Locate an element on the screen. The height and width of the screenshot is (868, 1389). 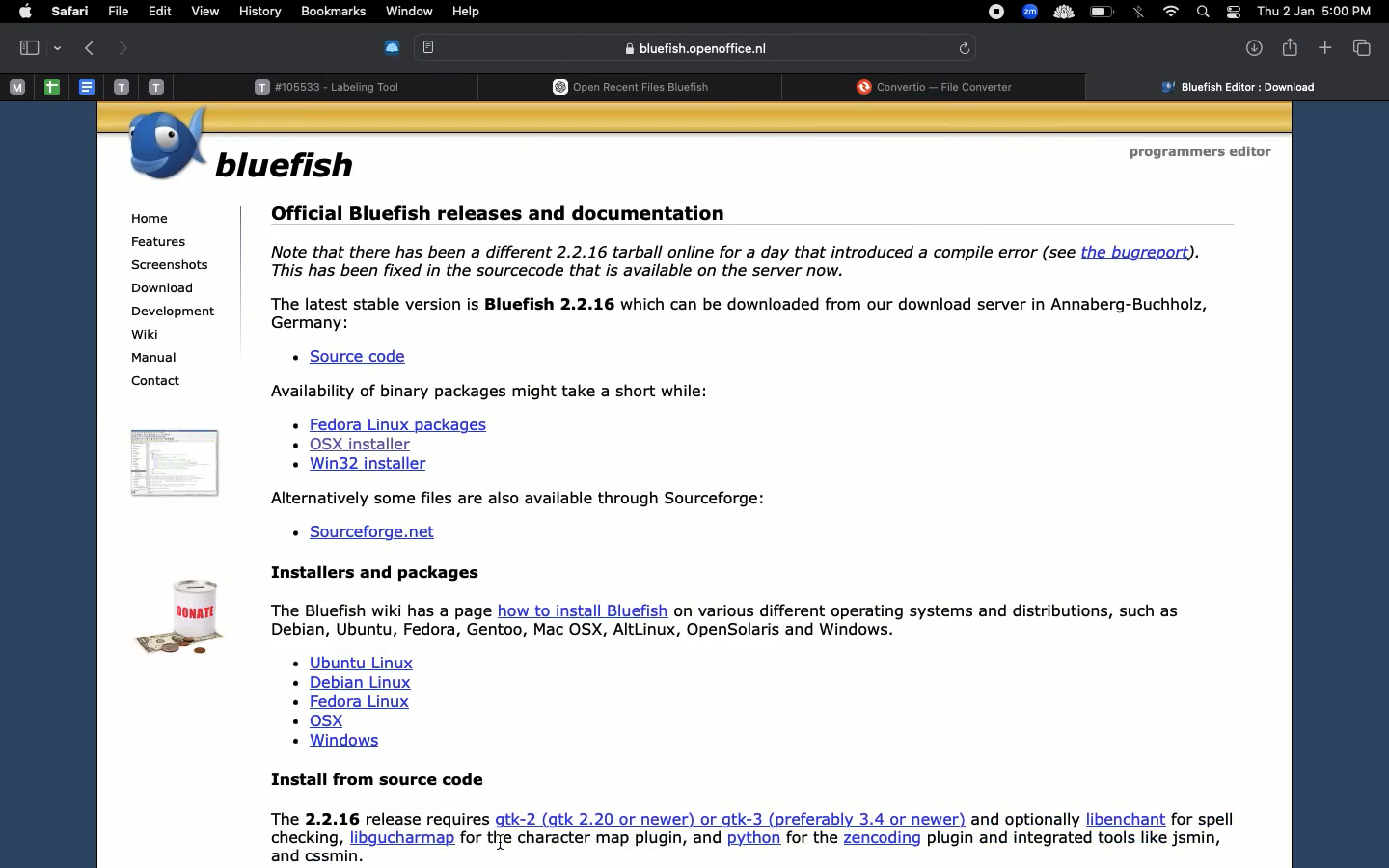
home is located at coordinates (150, 217).